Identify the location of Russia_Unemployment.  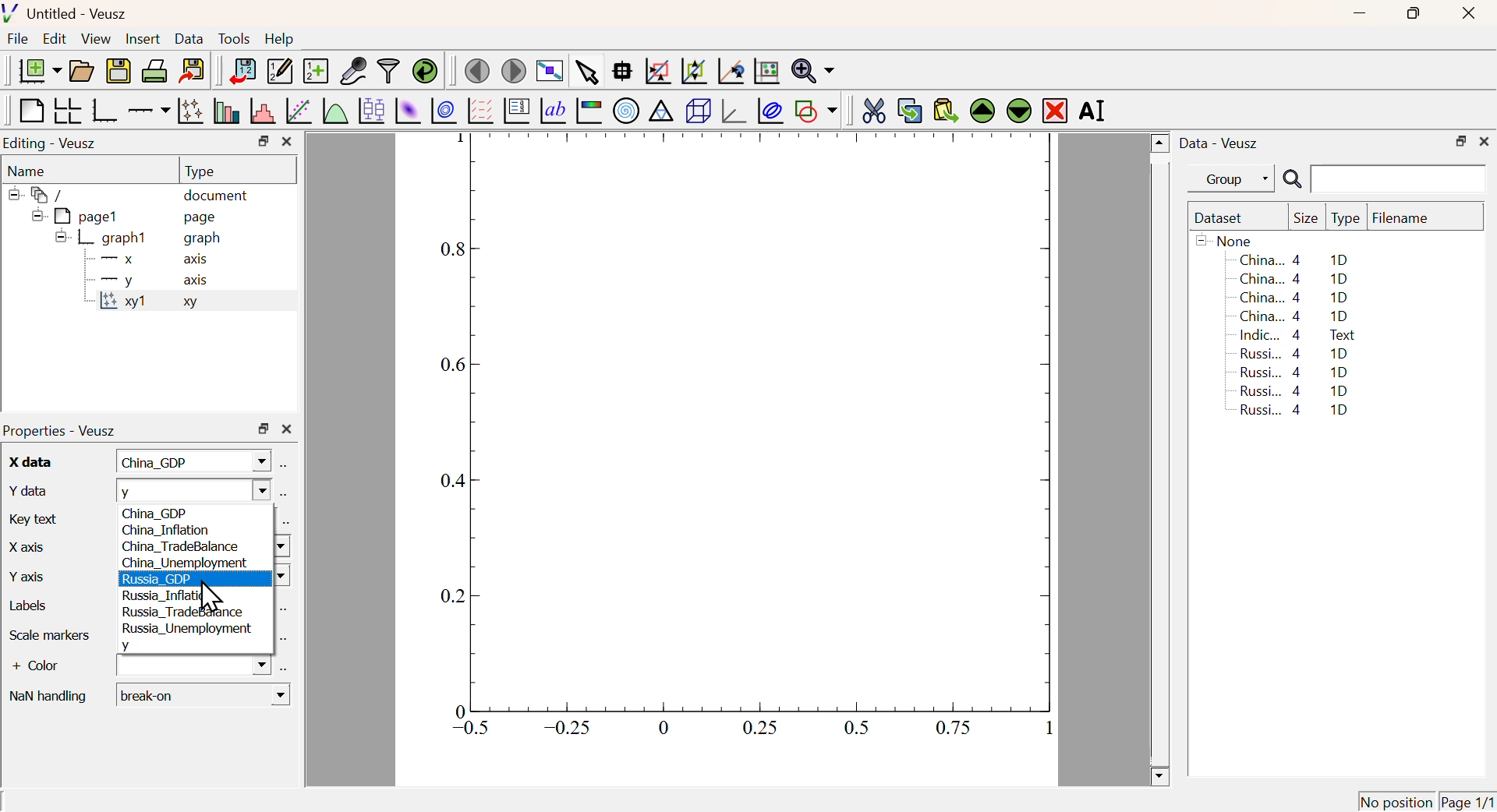
(187, 630).